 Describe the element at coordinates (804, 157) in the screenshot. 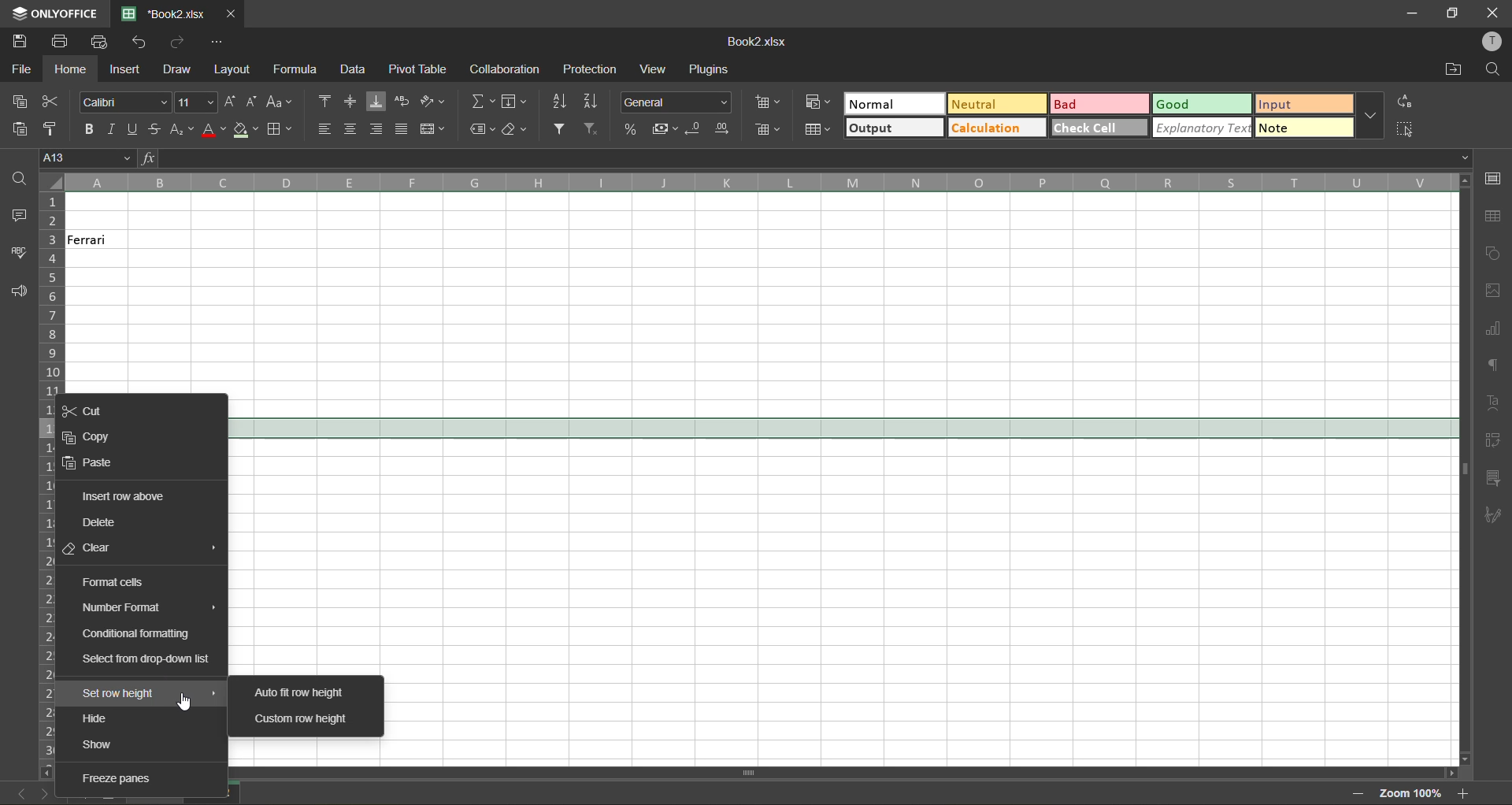

I see `formula bar` at that location.